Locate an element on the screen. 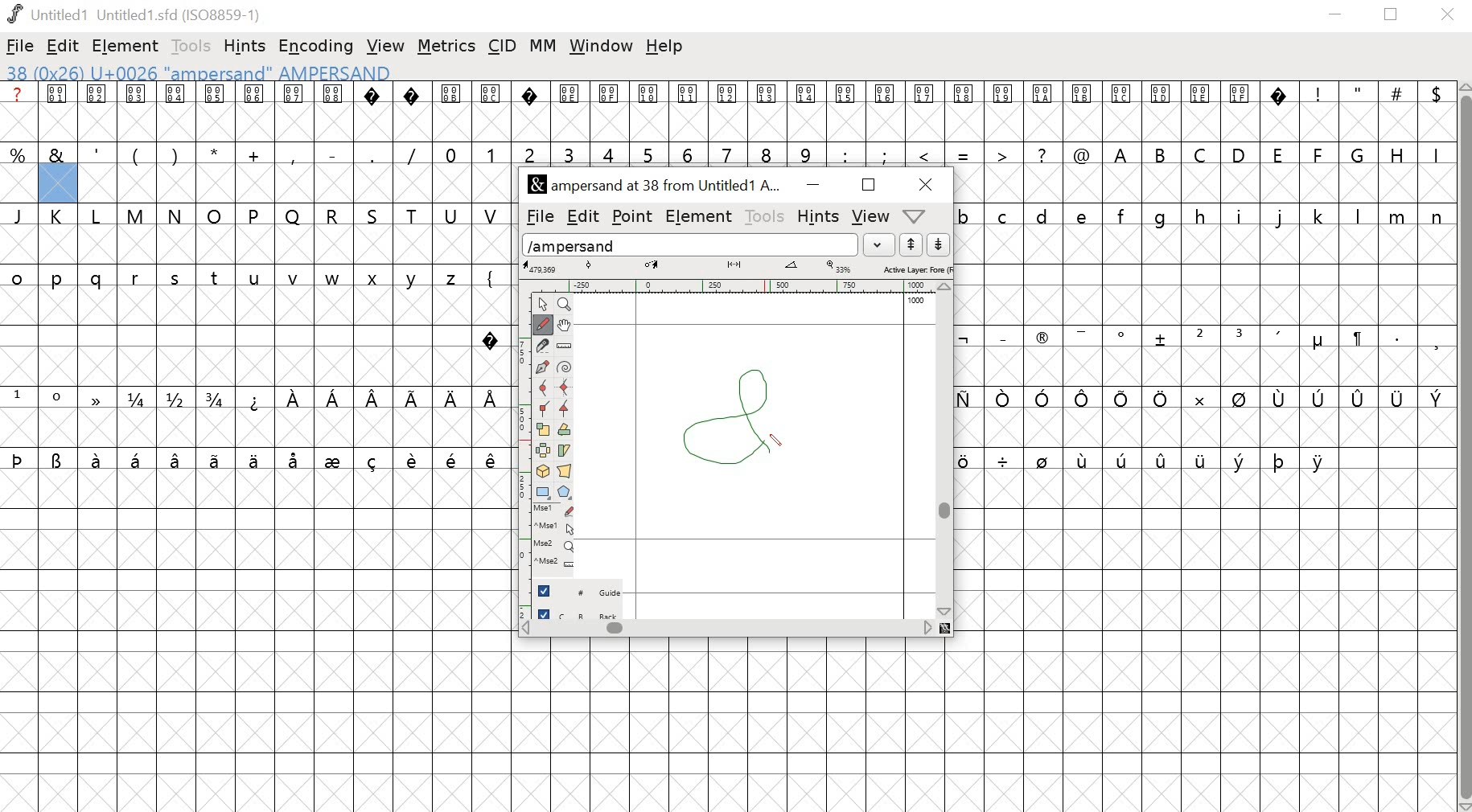  ? is located at coordinates (530, 112).